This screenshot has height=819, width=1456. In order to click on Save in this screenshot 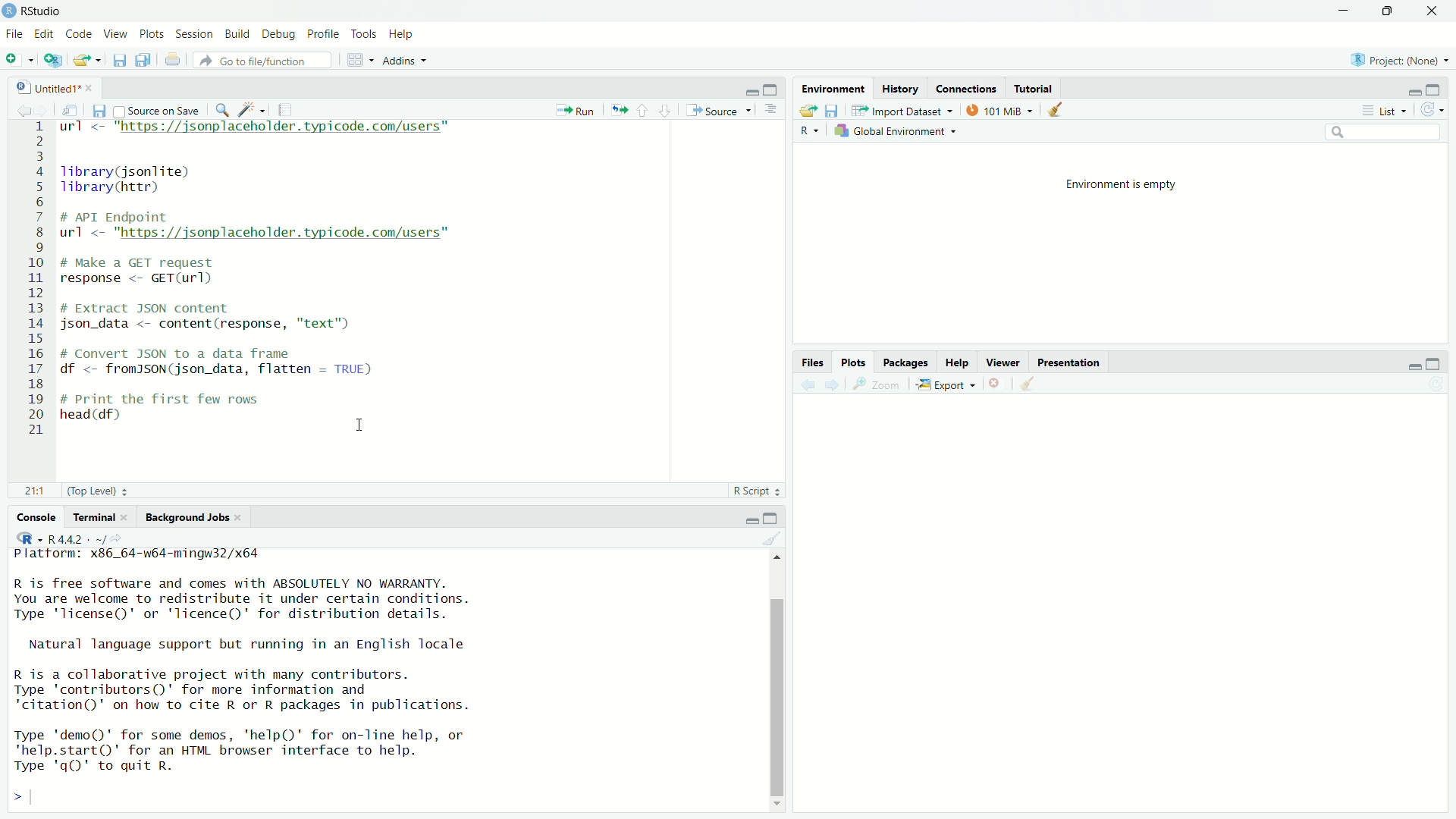, I will do `click(98, 112)`.